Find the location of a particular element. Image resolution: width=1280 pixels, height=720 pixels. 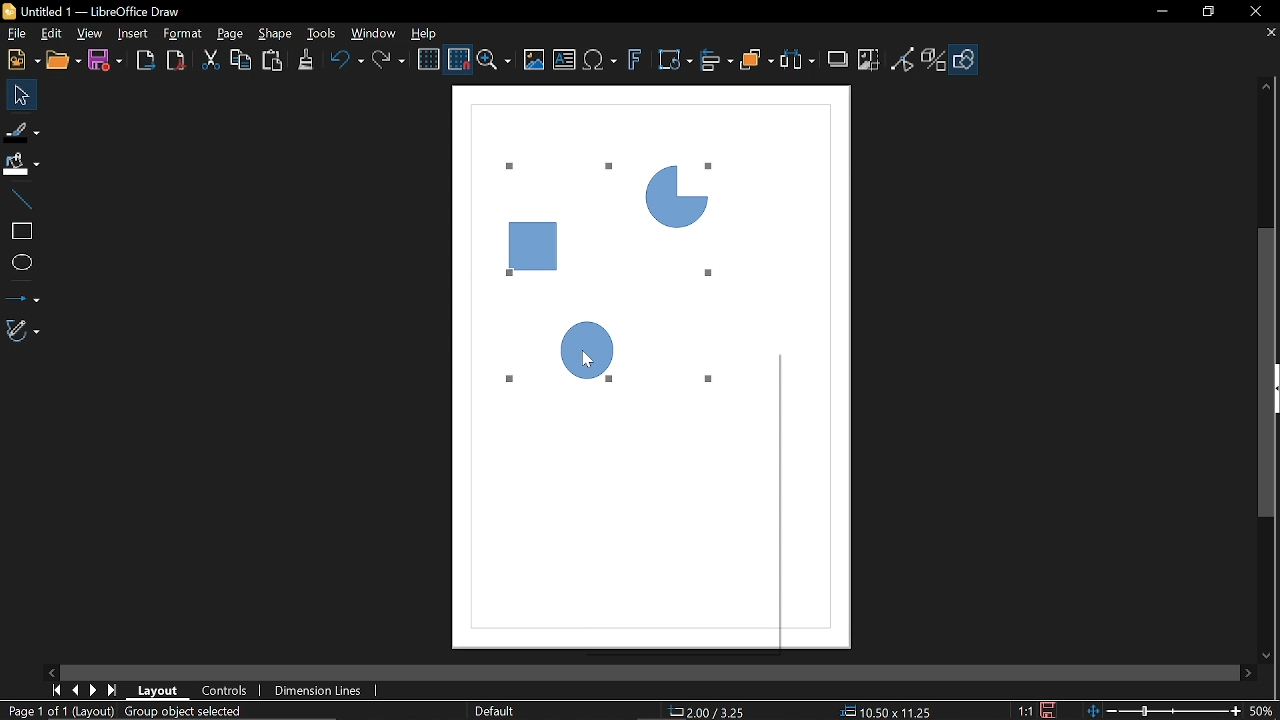

undo is located at coordinates (346, 60).